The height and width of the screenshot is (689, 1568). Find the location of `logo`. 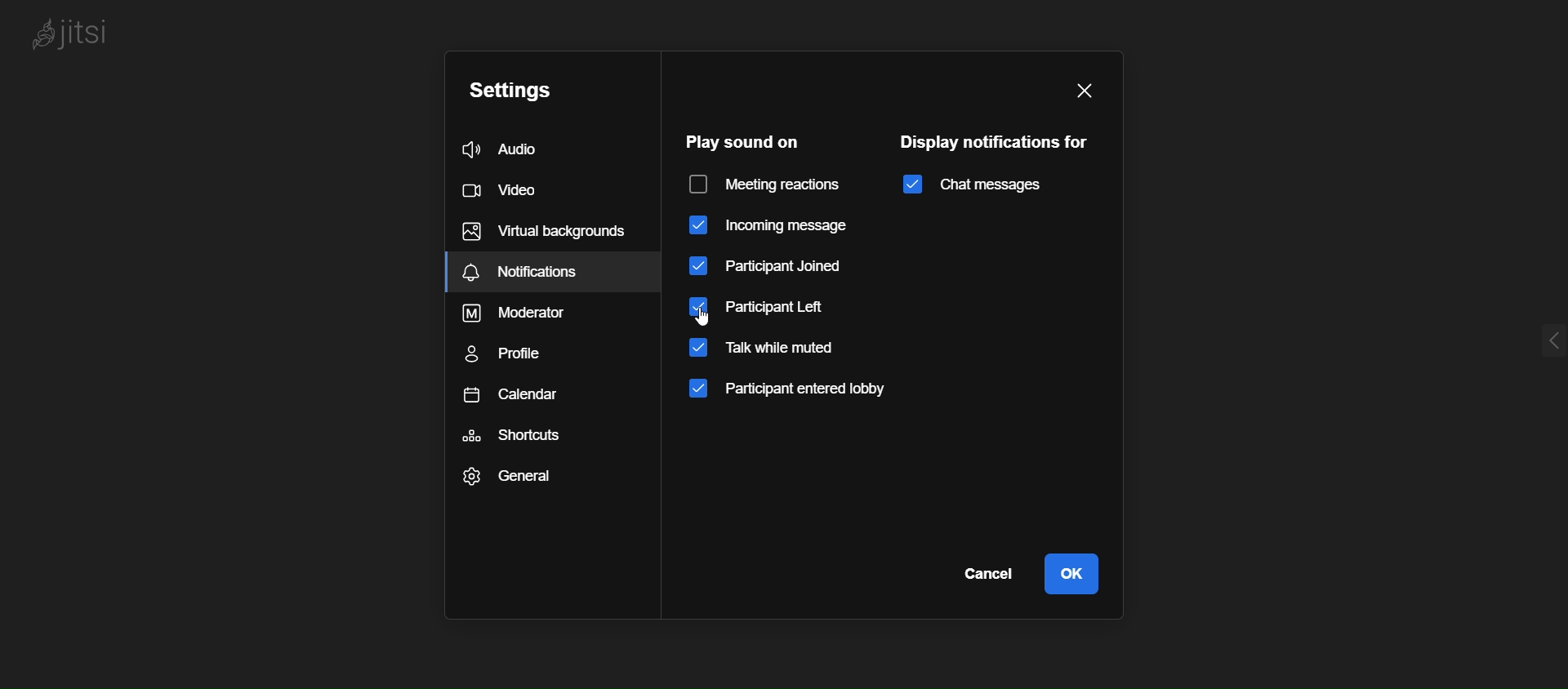

logo is located at coordinates (76, 37).